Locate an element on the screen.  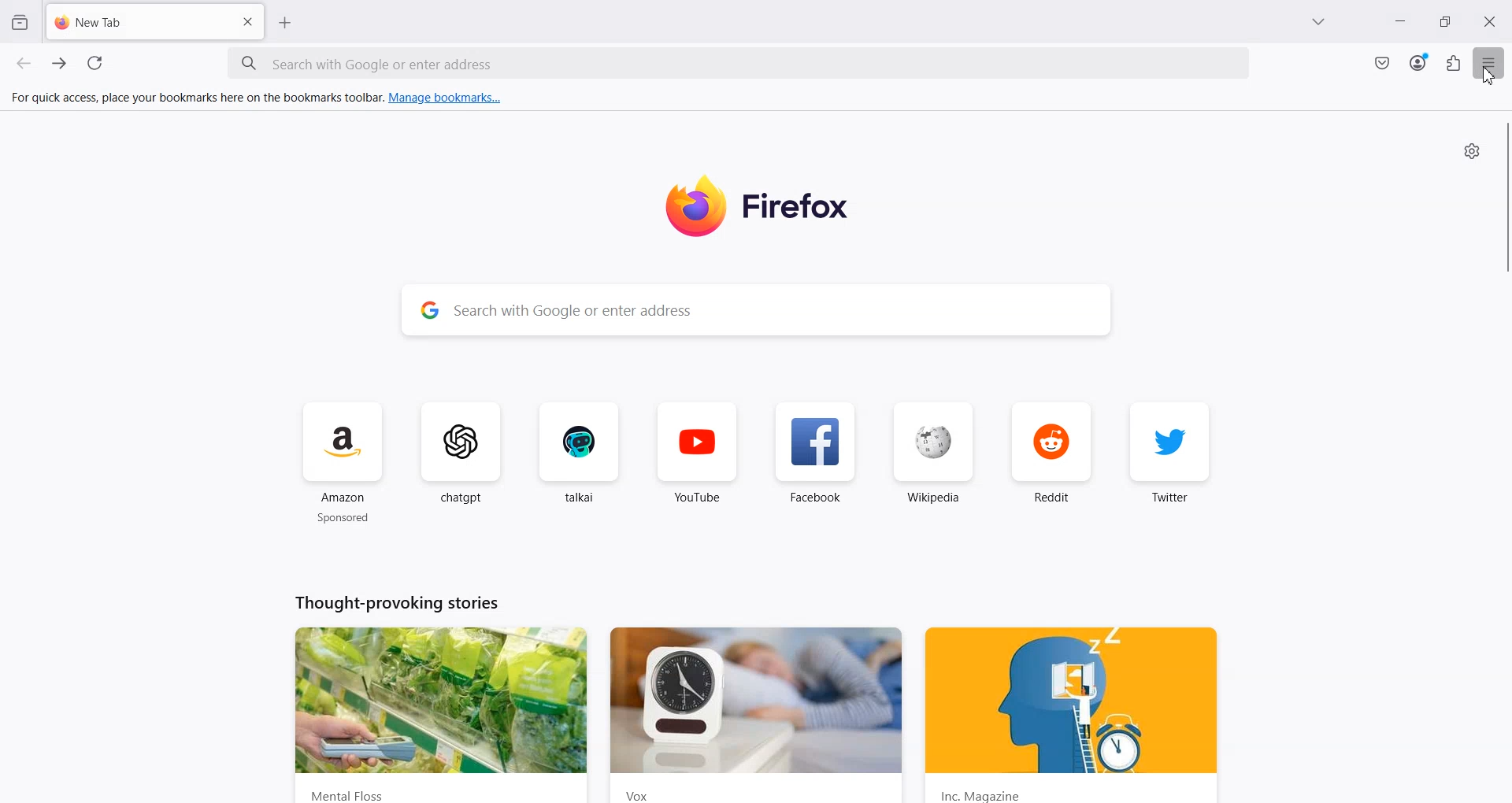
YouTube is located at coordinates (698, 464).